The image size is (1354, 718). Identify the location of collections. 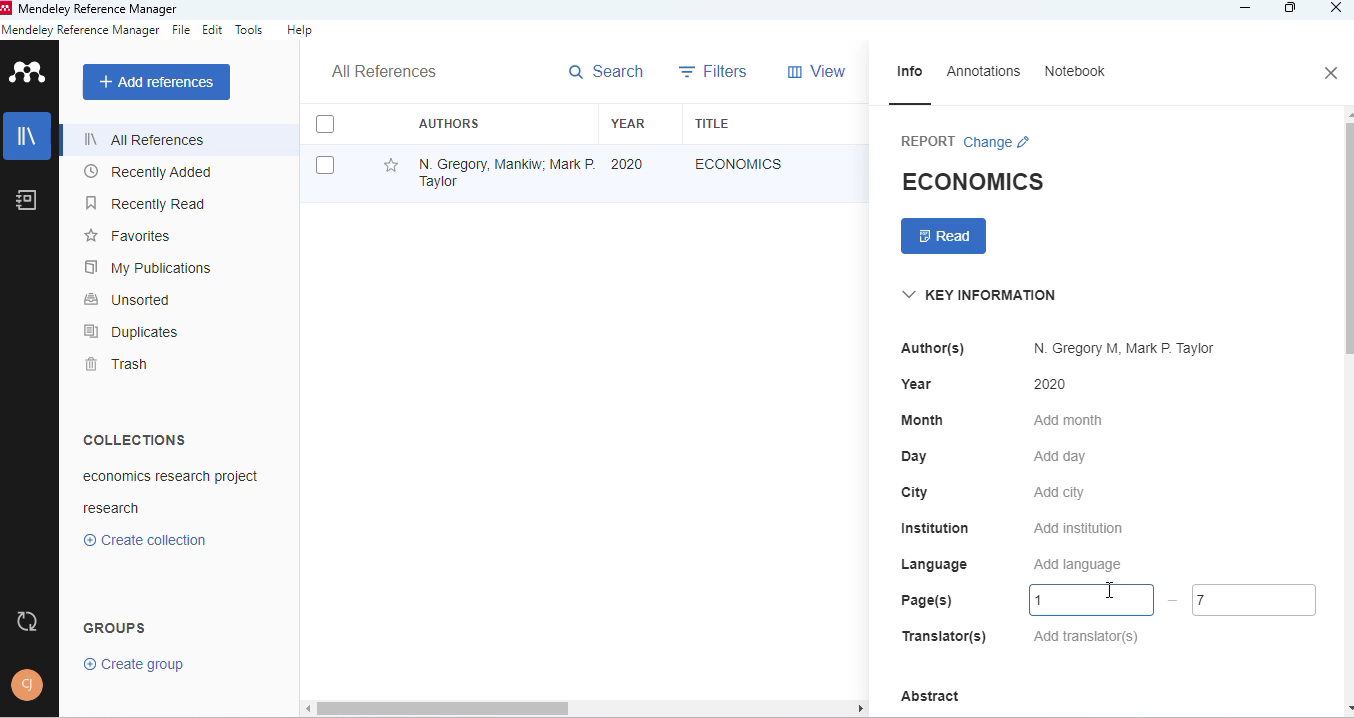
(136, 439).